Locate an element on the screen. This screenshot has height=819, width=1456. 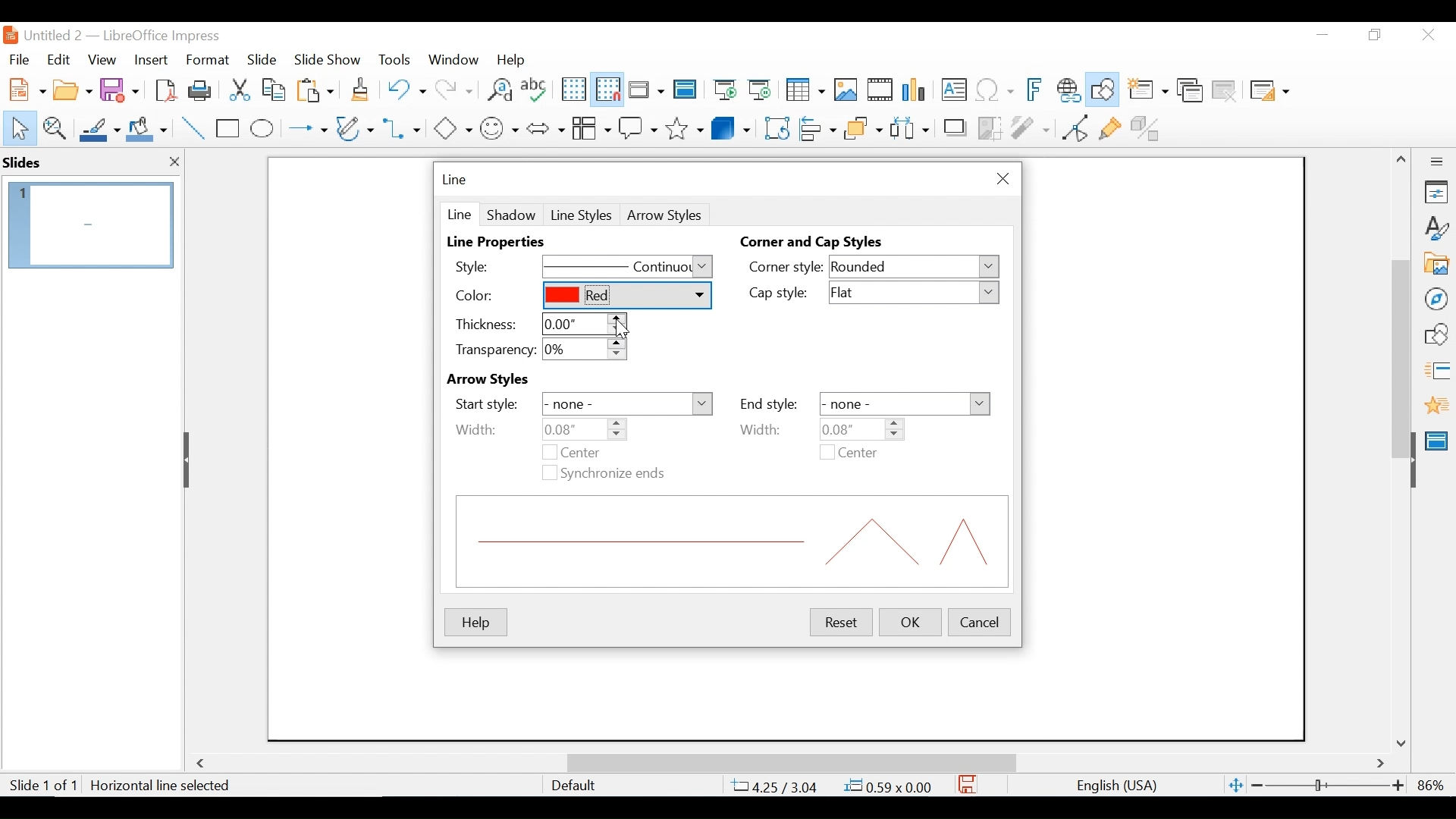
Duplicate slide is located at coordinates (1190, 91).